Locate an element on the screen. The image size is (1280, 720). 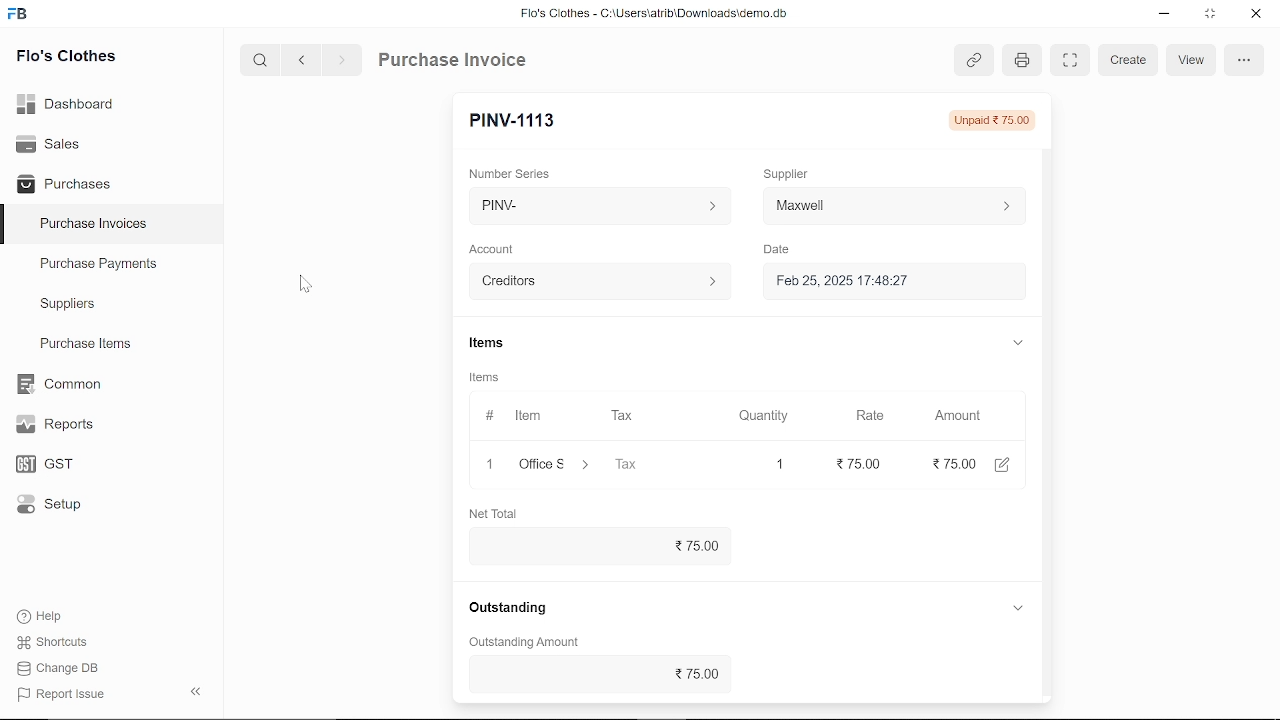
Reports is located at coordinates (54, 425).